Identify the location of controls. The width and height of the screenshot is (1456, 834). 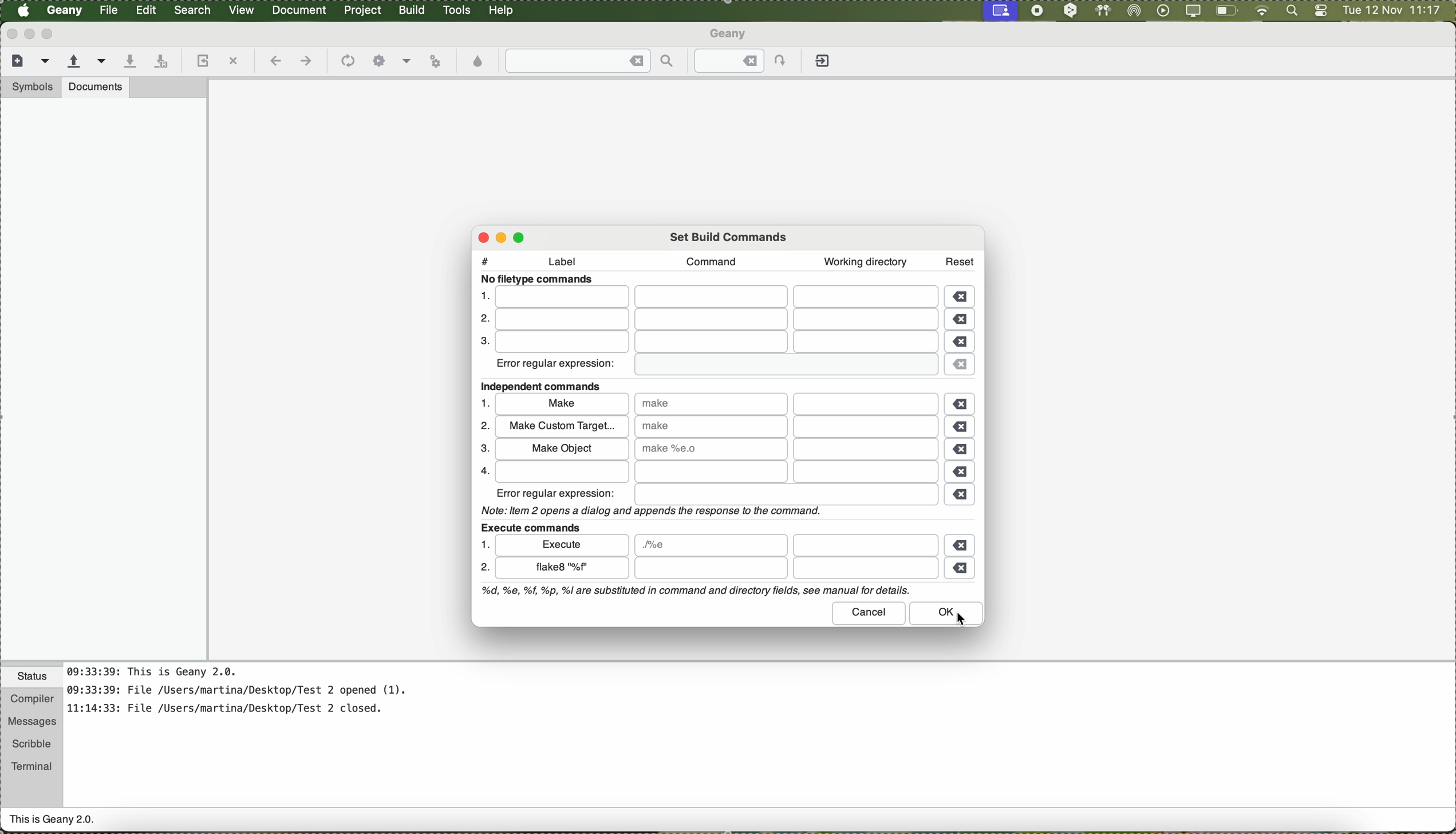
(1321, 11).